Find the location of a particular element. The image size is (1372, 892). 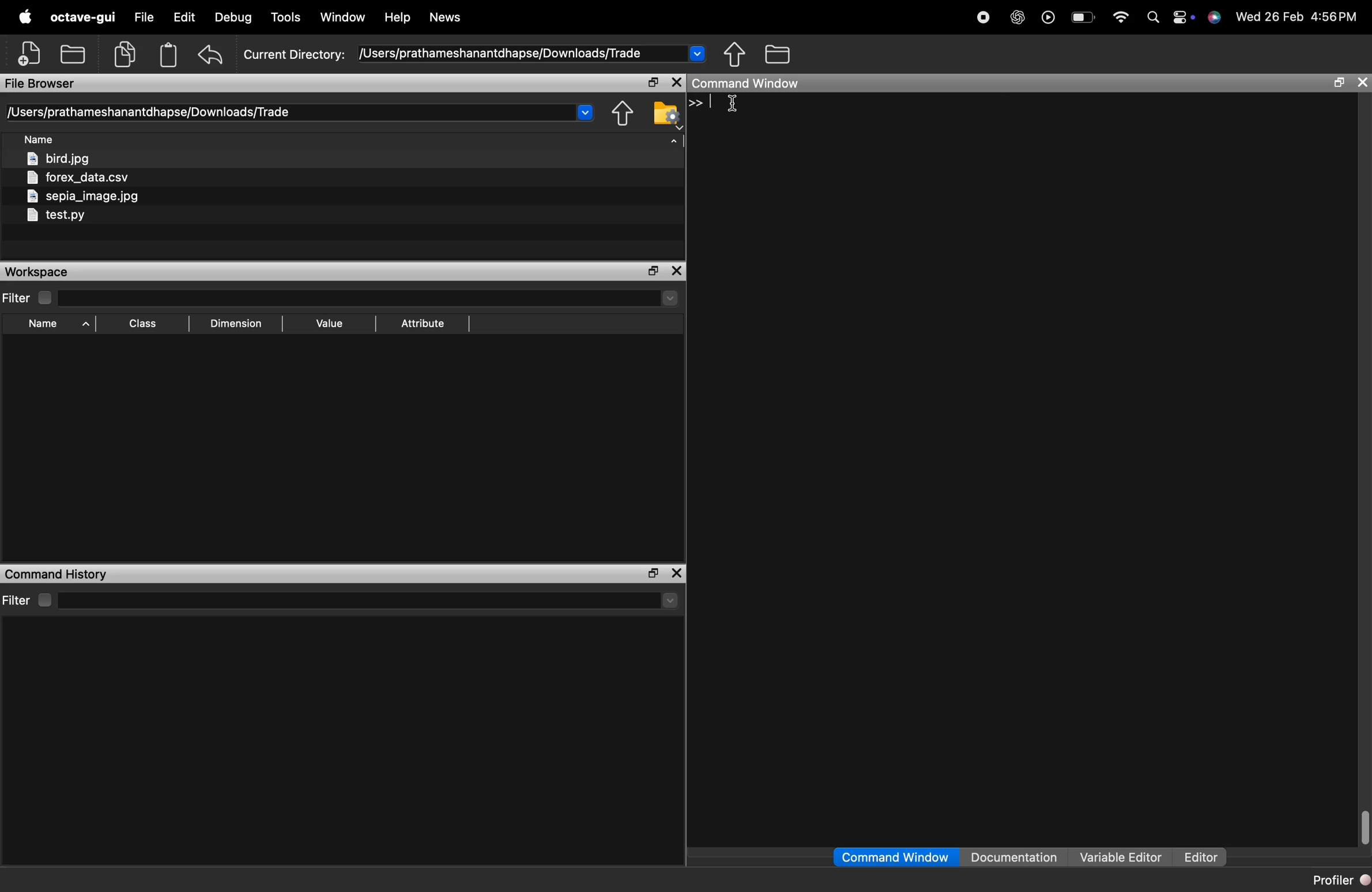

search is located at coordinates (1154, 18).